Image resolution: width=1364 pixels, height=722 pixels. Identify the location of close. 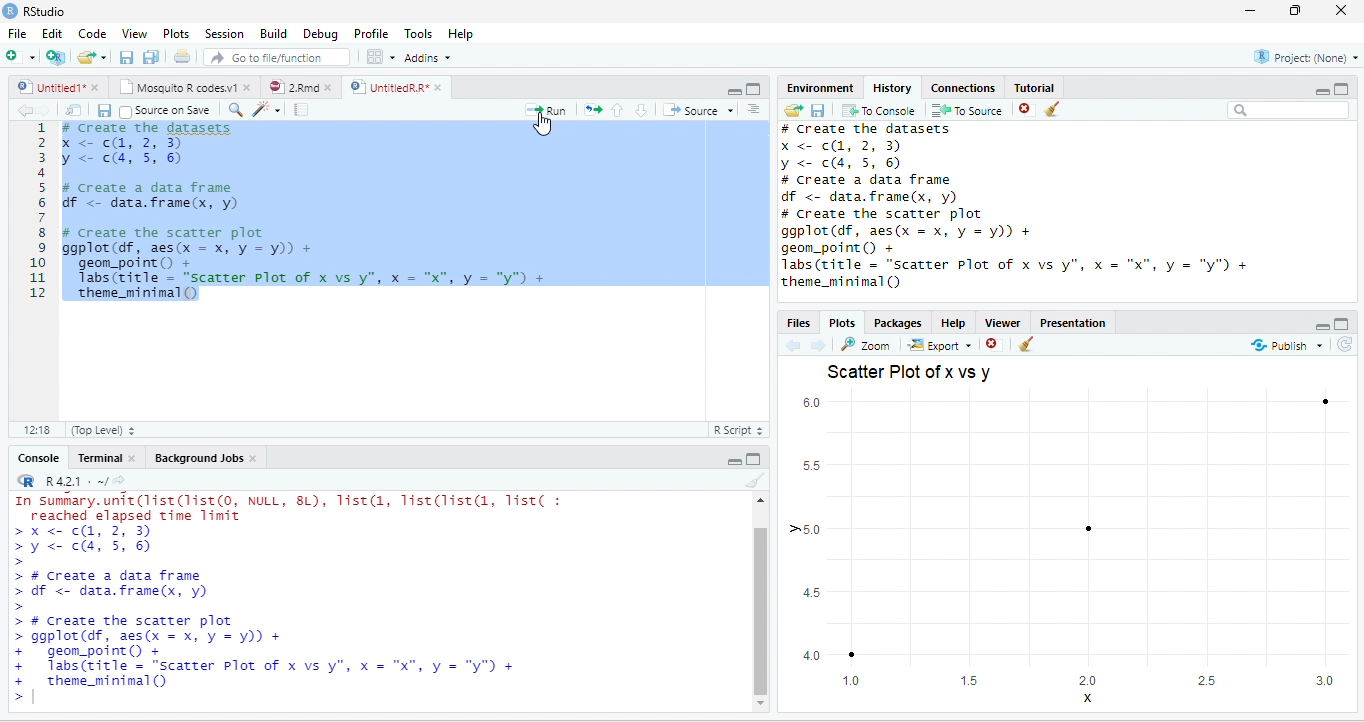
(328, 87).